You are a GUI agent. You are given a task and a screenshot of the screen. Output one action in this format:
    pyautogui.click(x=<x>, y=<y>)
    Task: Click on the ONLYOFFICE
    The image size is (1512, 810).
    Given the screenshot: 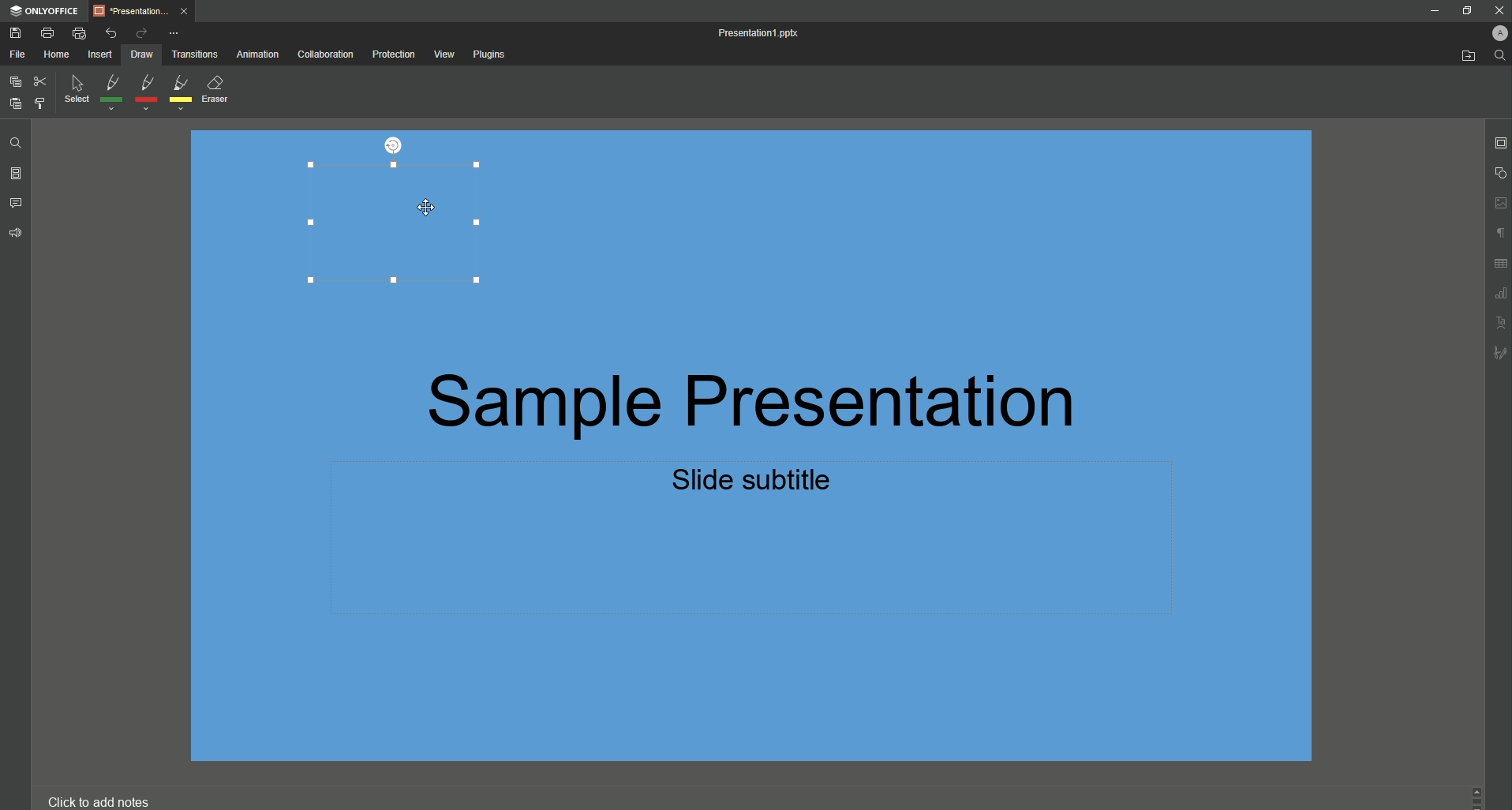 What is the action you would take?
    pyautogui.click(x=47, y=10)
    